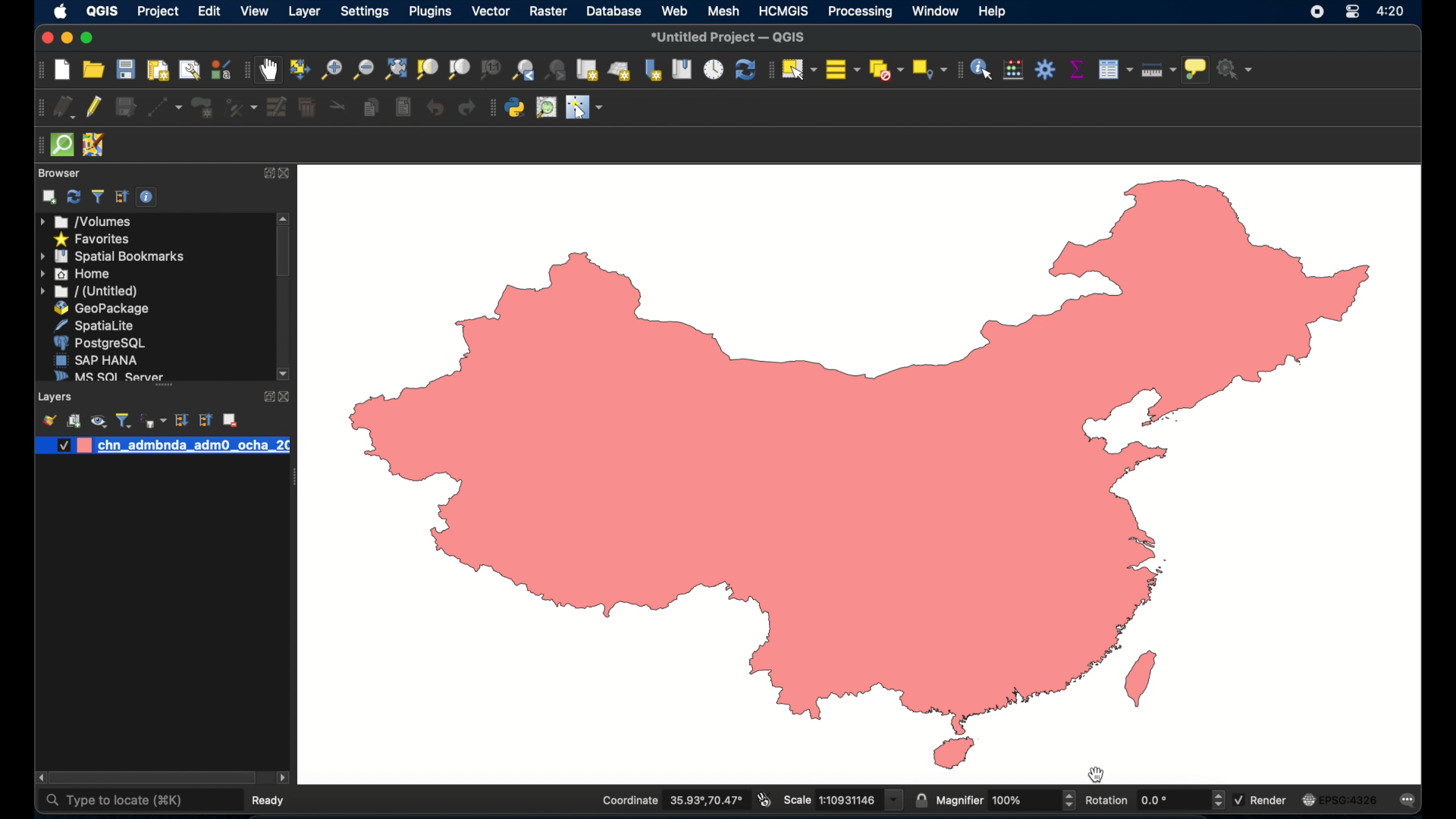  Describe the element at coordinates (61, 445) in the screenshot. I see `Checkbox ` at that location.